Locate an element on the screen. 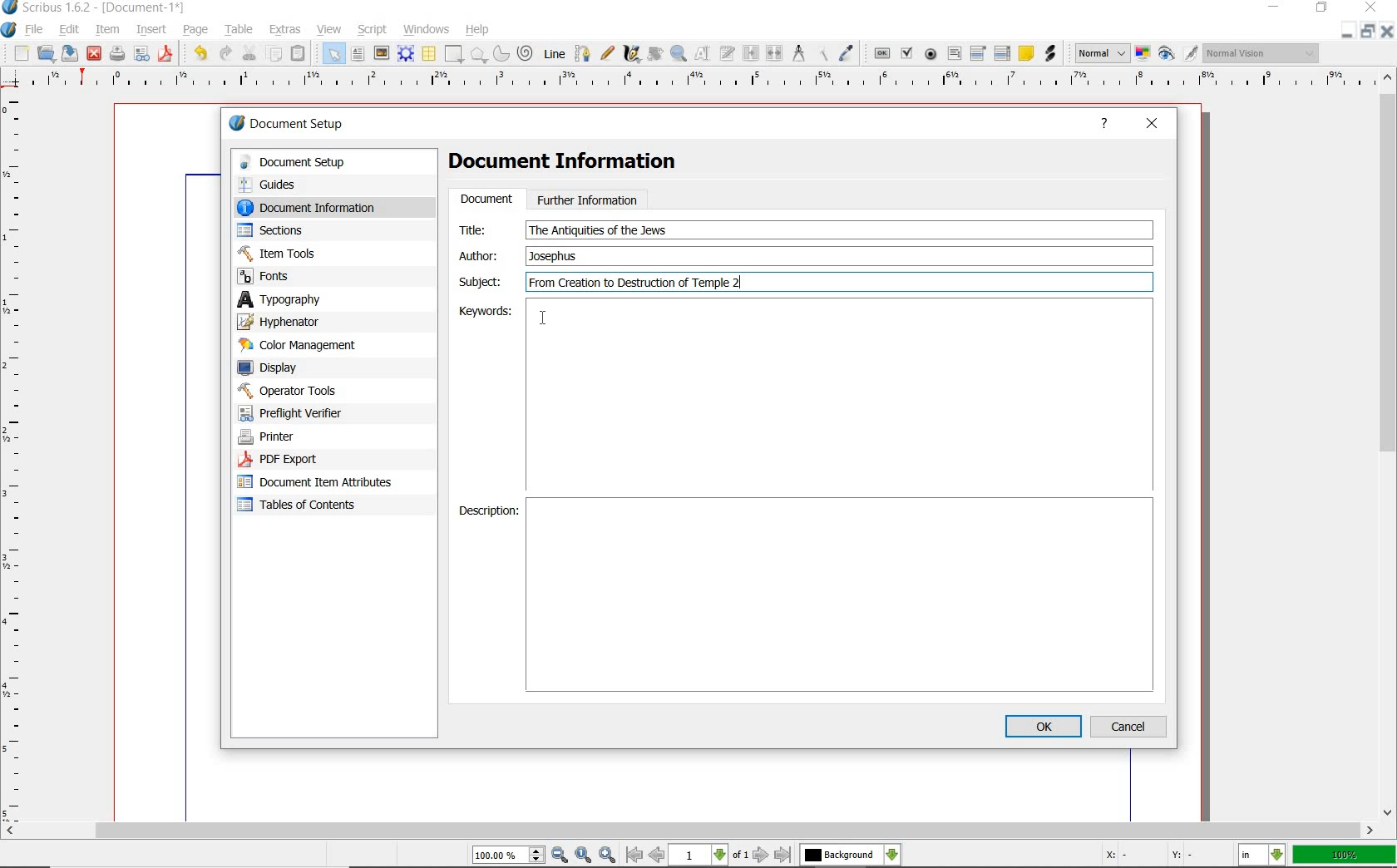 The width and height of the screenshot is (1397, 868). pdf check box is located at coordinates (908, 52).